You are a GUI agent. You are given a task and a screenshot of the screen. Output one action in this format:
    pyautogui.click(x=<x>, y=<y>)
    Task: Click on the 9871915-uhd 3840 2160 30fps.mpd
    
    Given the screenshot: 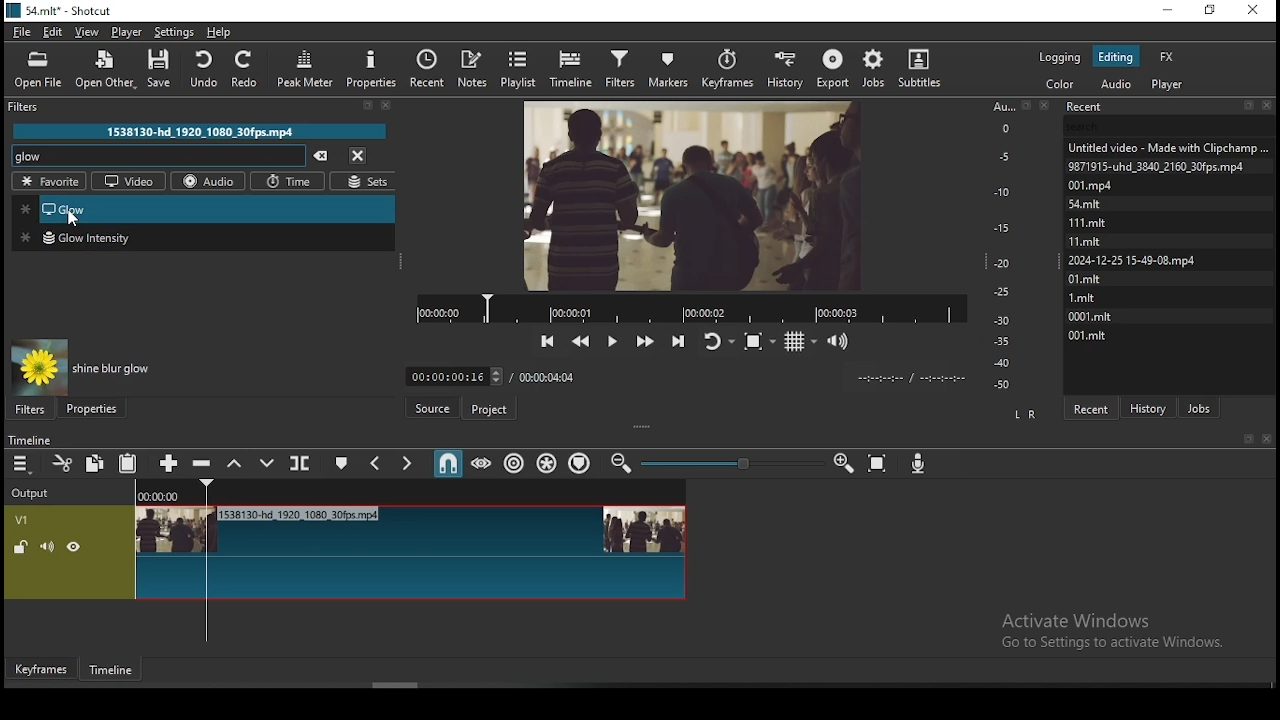 What is the action you would take?
    pyautogui.click(x=1160, y=166)
    